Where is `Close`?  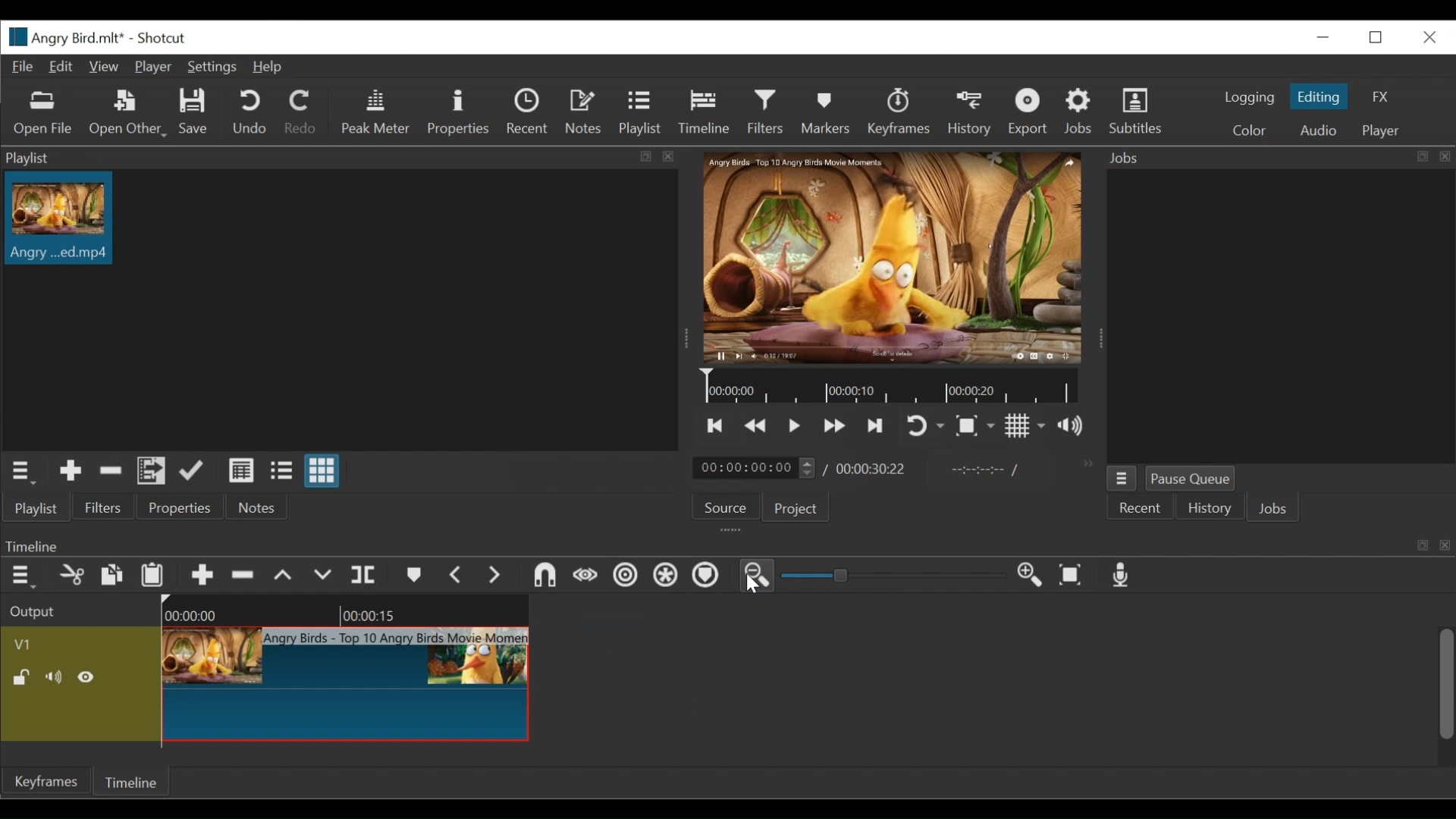
Close is located at coordinates (1326, 36).